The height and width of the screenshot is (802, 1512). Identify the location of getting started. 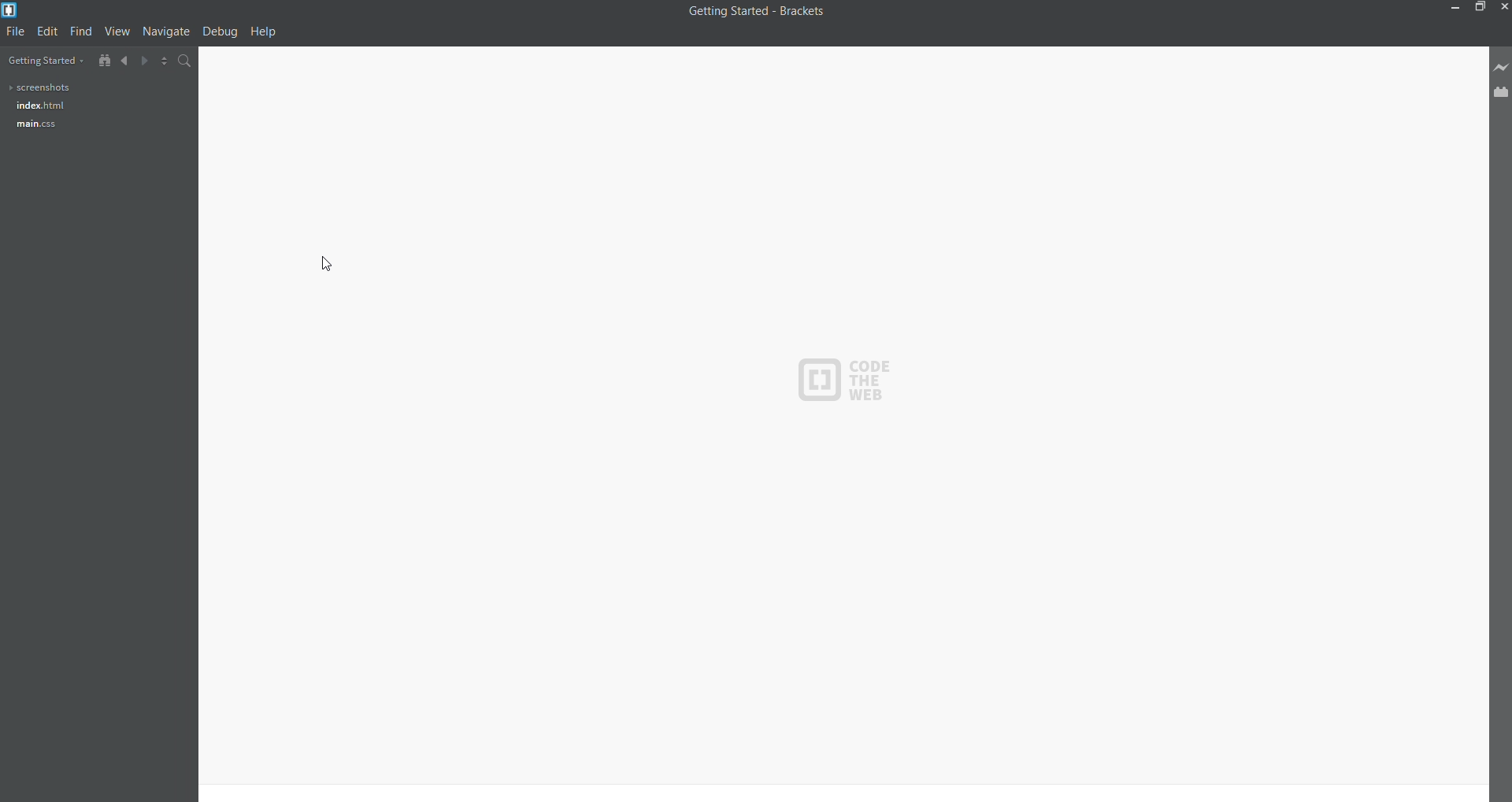
(43, 59).